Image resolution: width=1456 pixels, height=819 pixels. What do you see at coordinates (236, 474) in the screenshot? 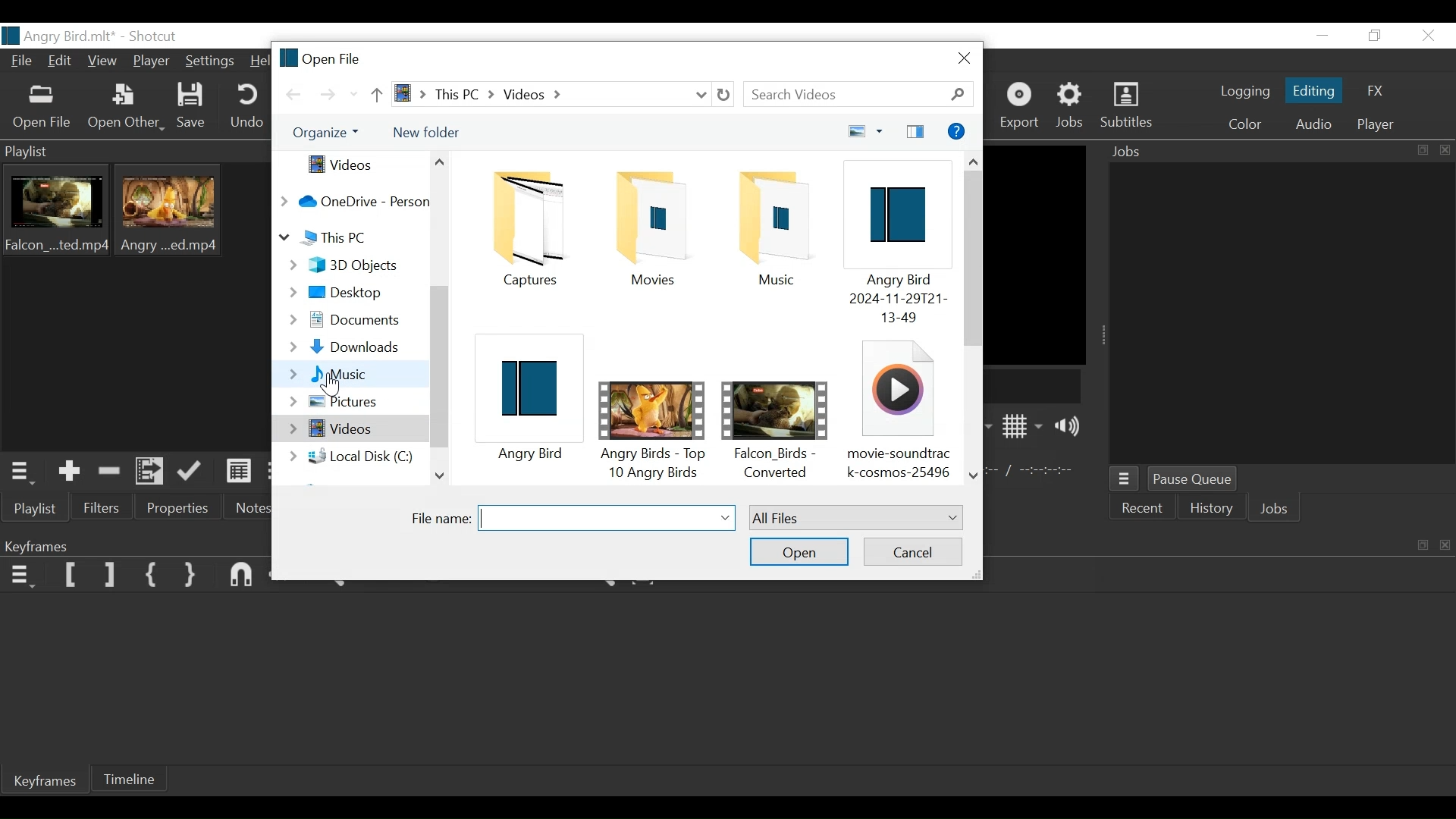
I see `View as detail` at bounding box center [236, 474].